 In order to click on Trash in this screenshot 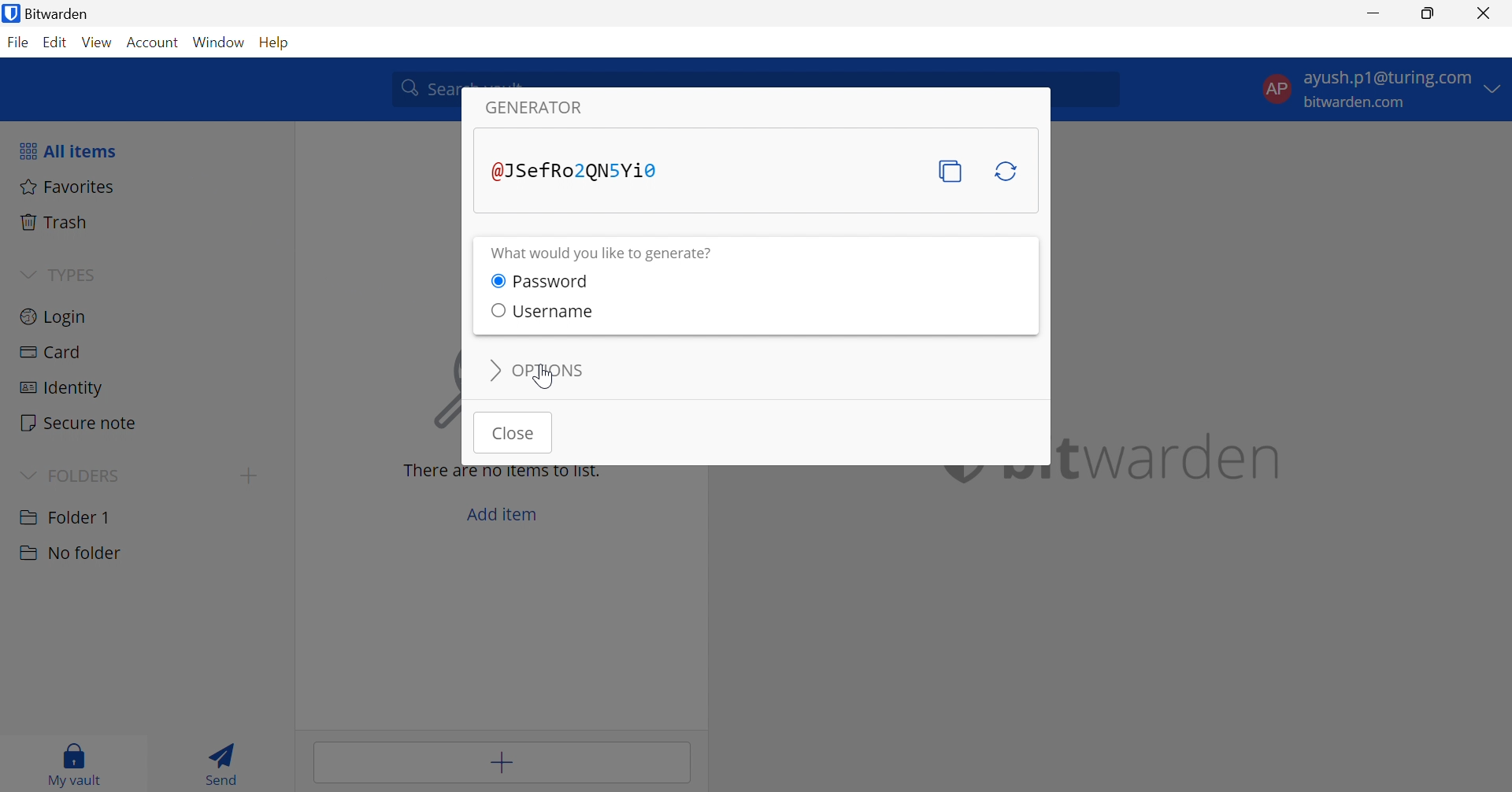, I will do `click(58, 222)`.